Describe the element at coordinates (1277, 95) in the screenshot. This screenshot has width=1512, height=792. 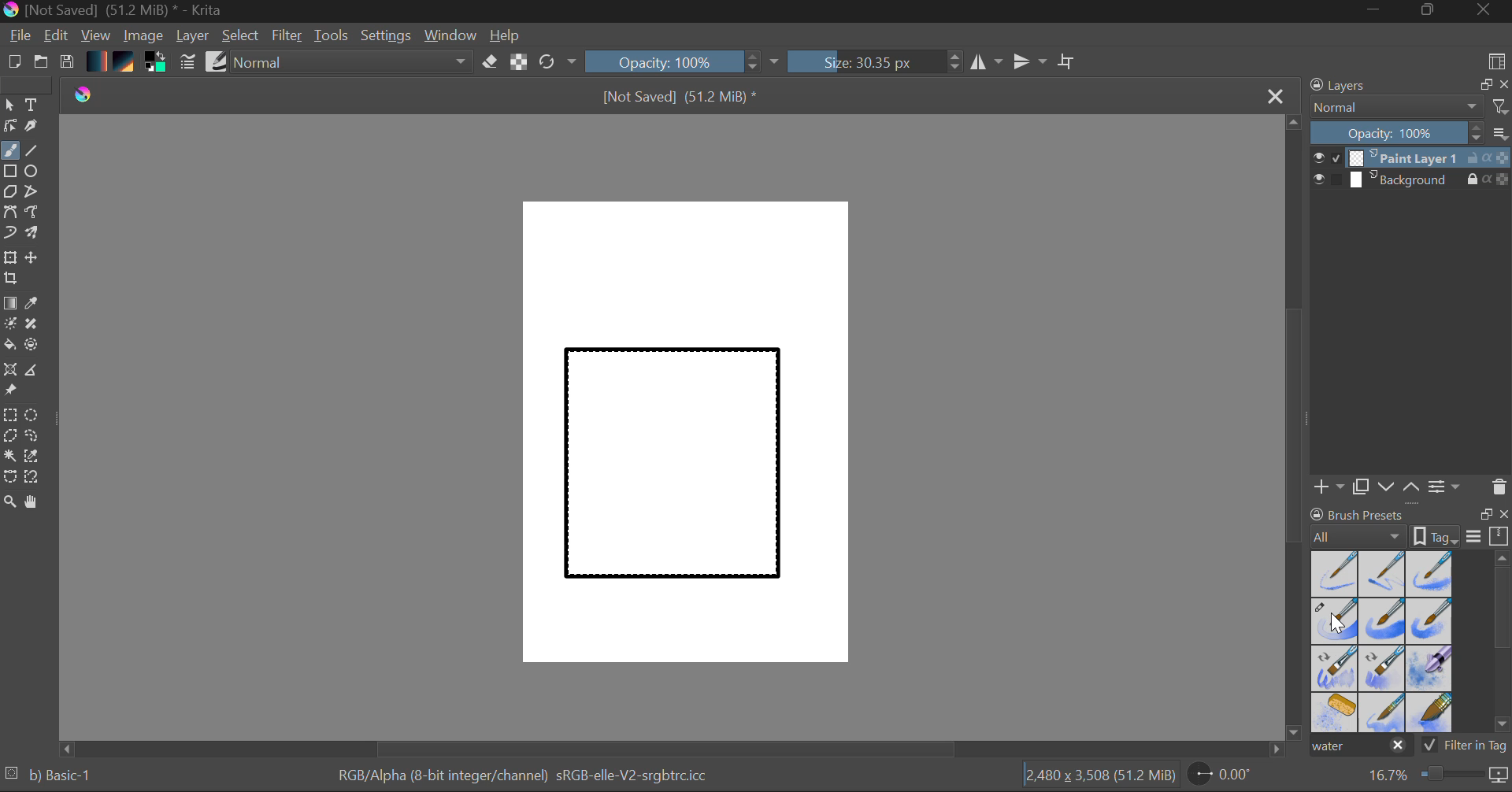
I see `Close` at that location.